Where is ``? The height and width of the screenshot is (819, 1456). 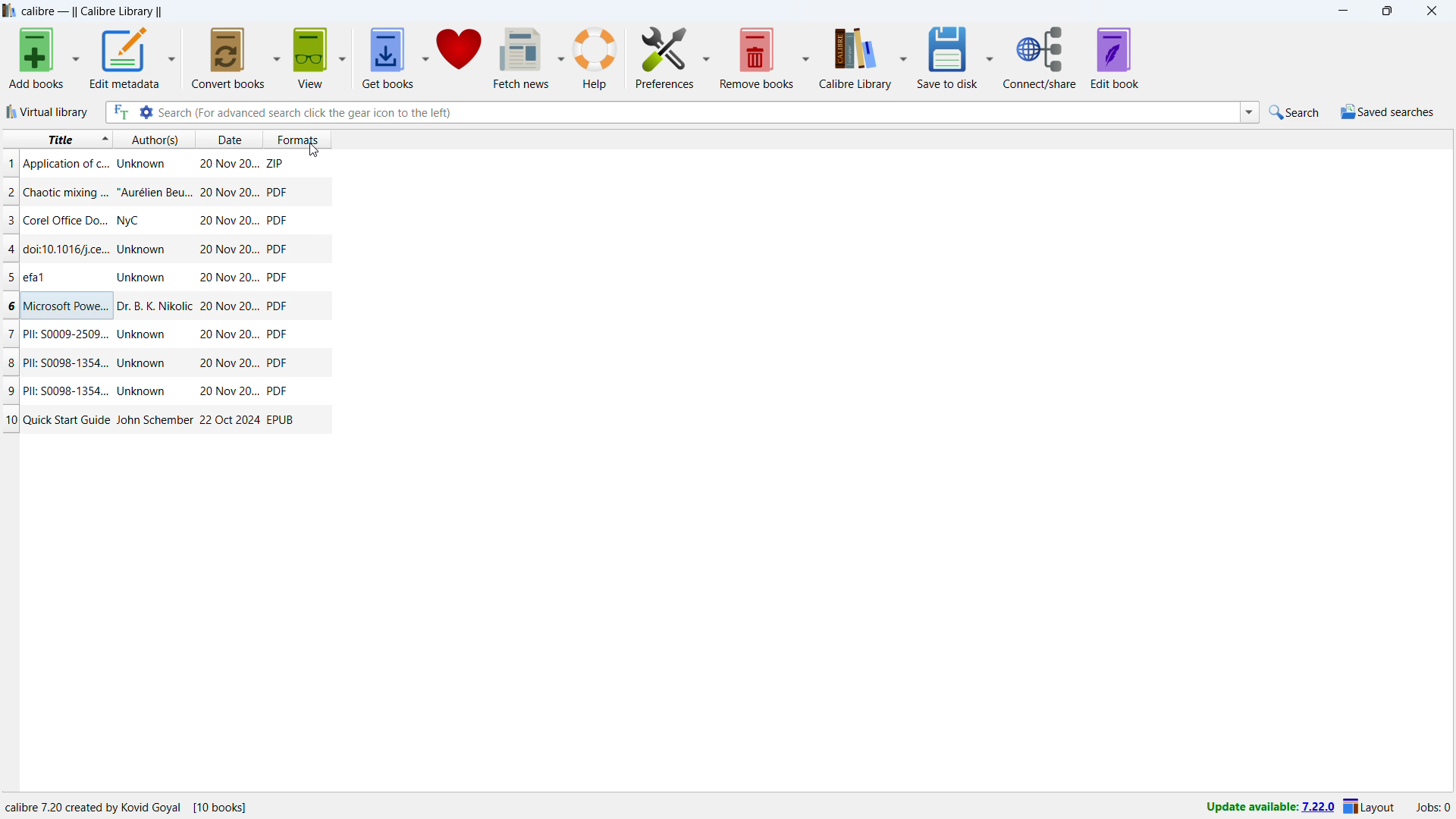
 is located at coordinates (125, 58).